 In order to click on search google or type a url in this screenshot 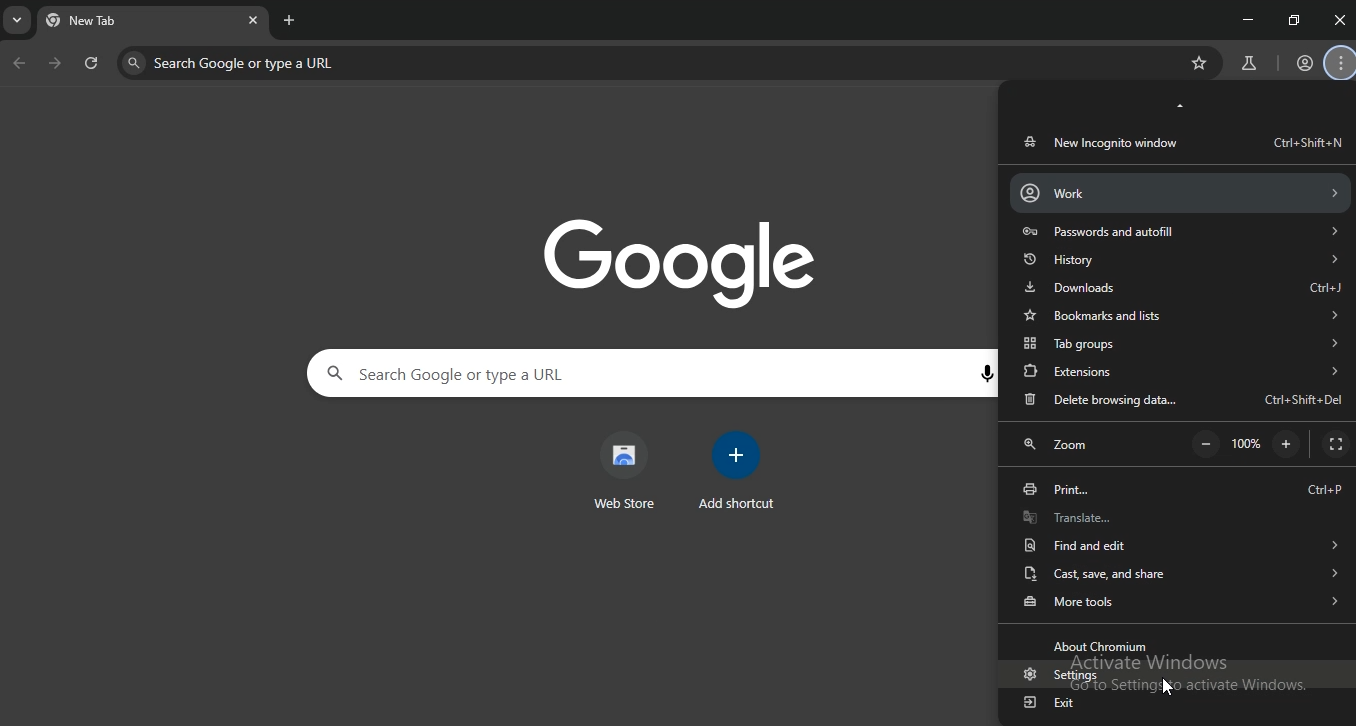, I will do `click(352, 62)`.